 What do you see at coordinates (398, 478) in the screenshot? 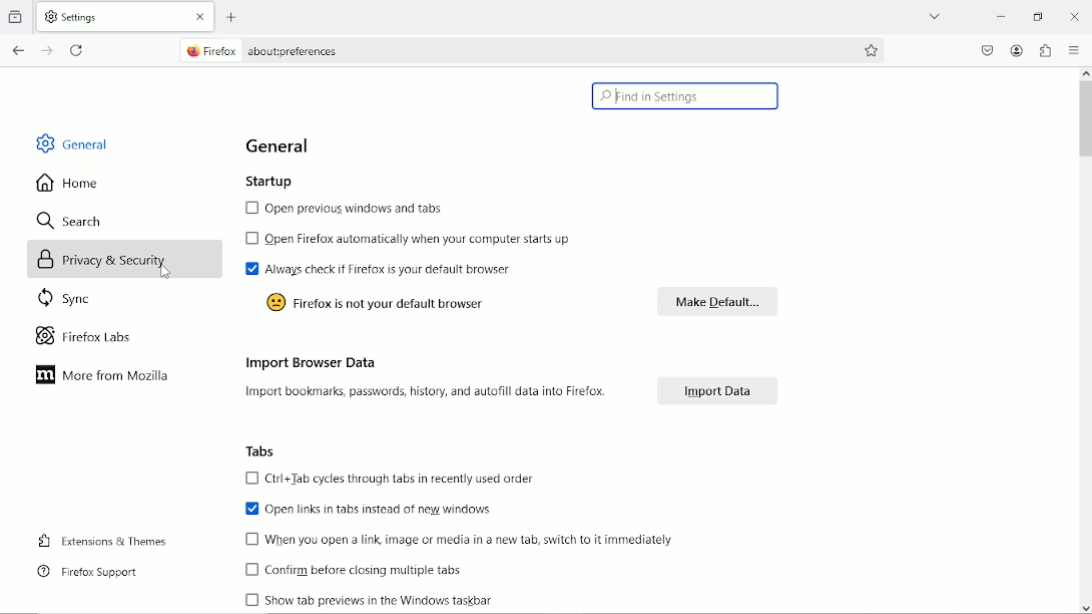
I see `text` at bounding box center [398, 478].